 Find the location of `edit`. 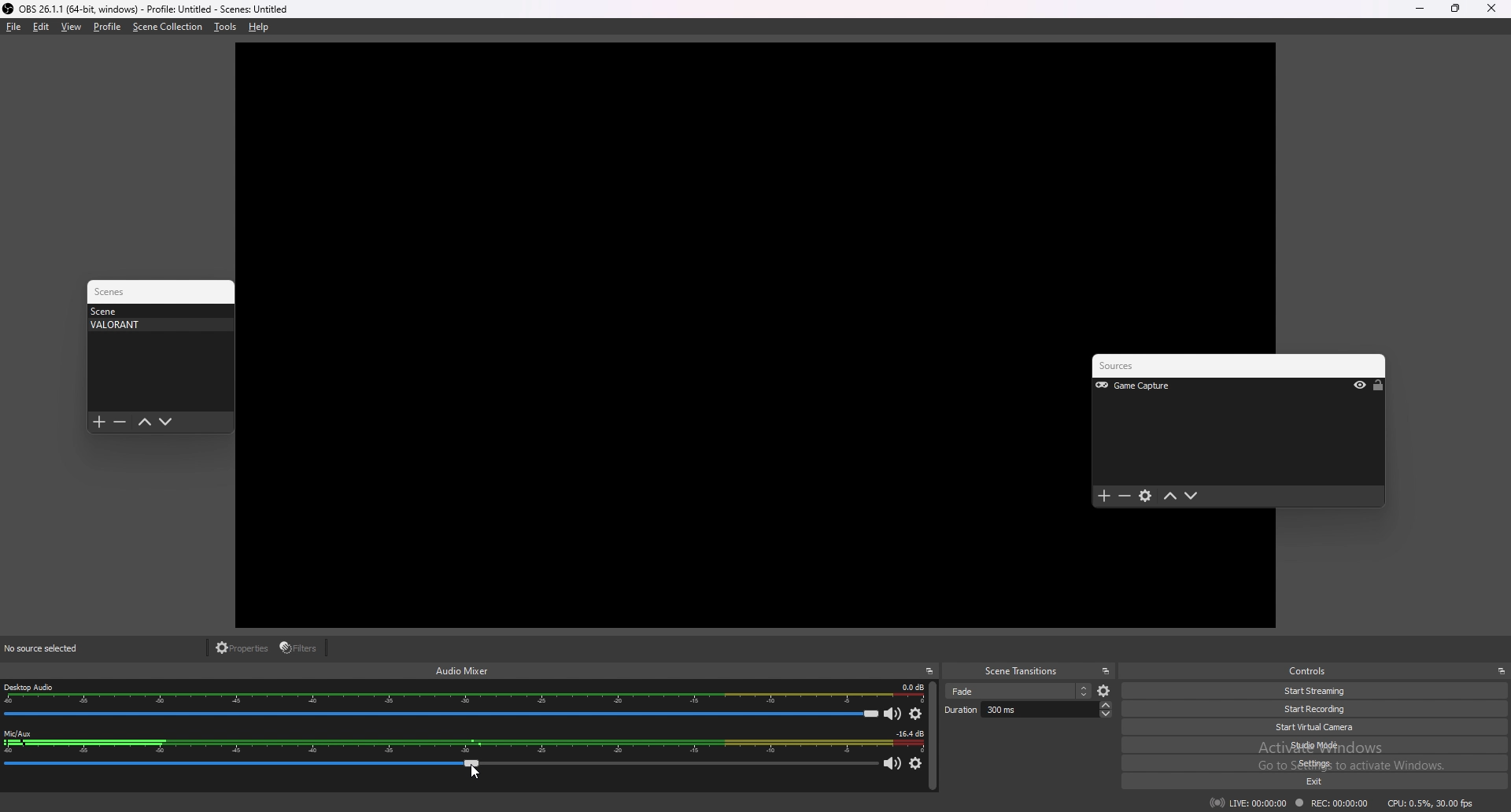

edit is located at coordinates (41, 27).